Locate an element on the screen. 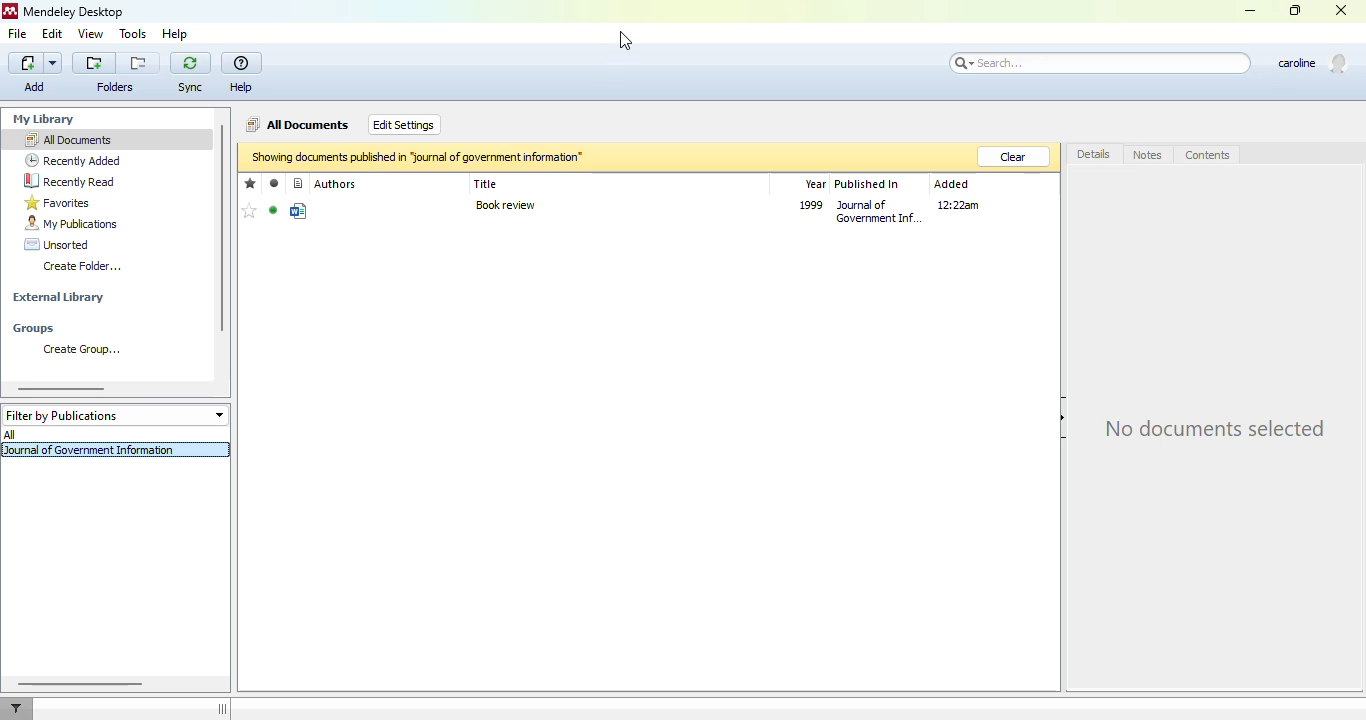  vertical scroll bar is located at coordinates (221, 228).